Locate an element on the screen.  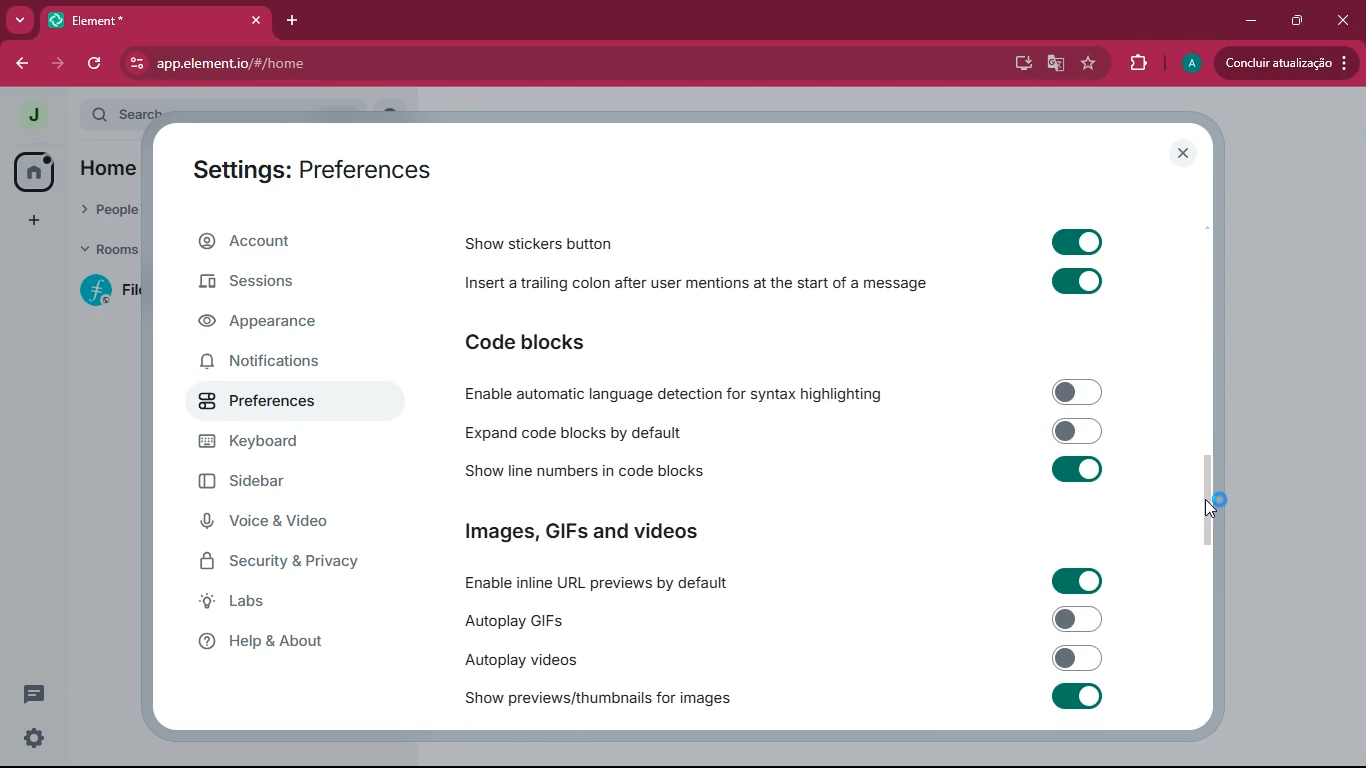
Toggle off is located at coordinates (1076, 392).